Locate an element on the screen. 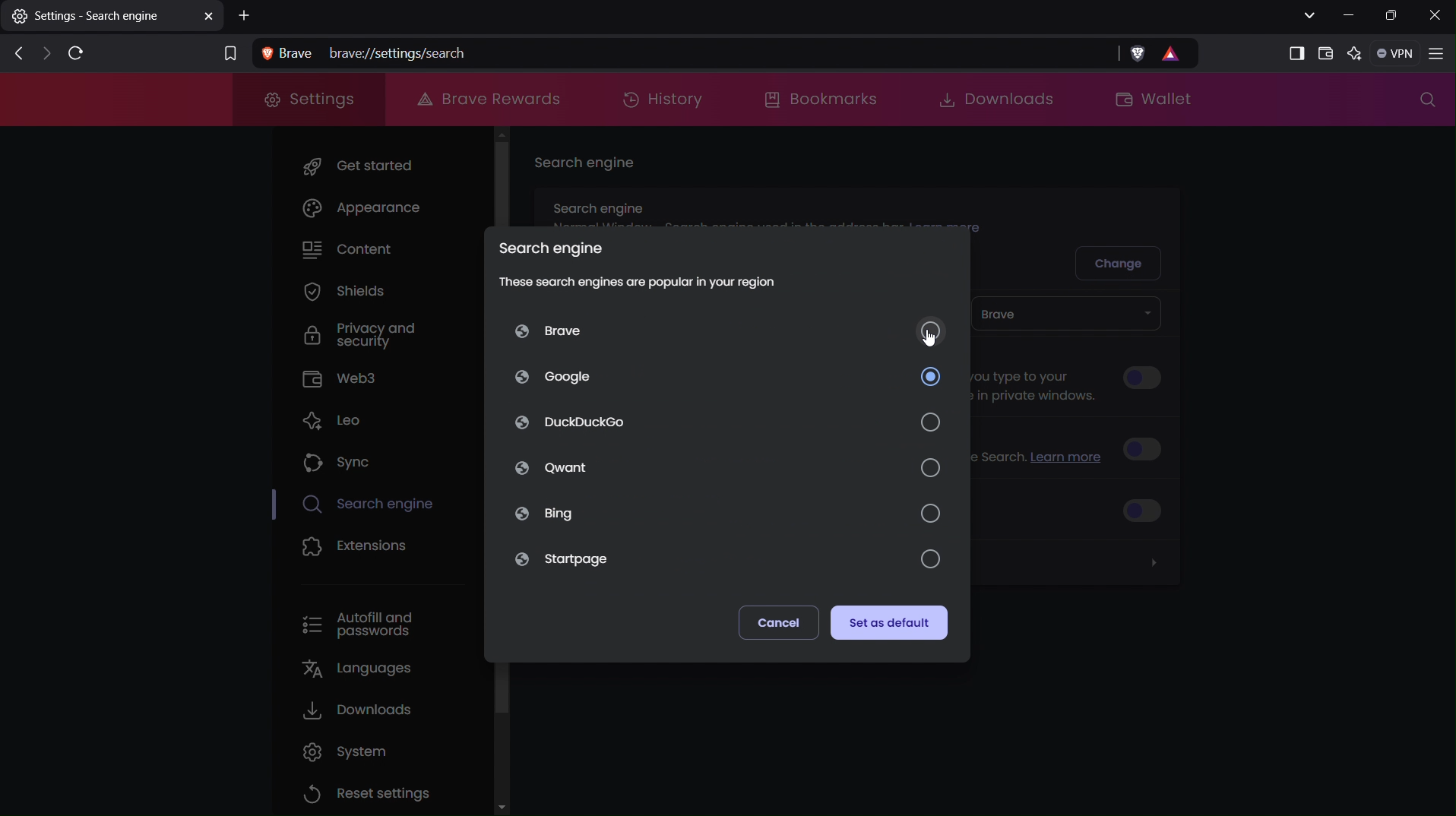 The width and height of the screenshot is (1456, 816). Set as default is located at coordinates (889, 623).